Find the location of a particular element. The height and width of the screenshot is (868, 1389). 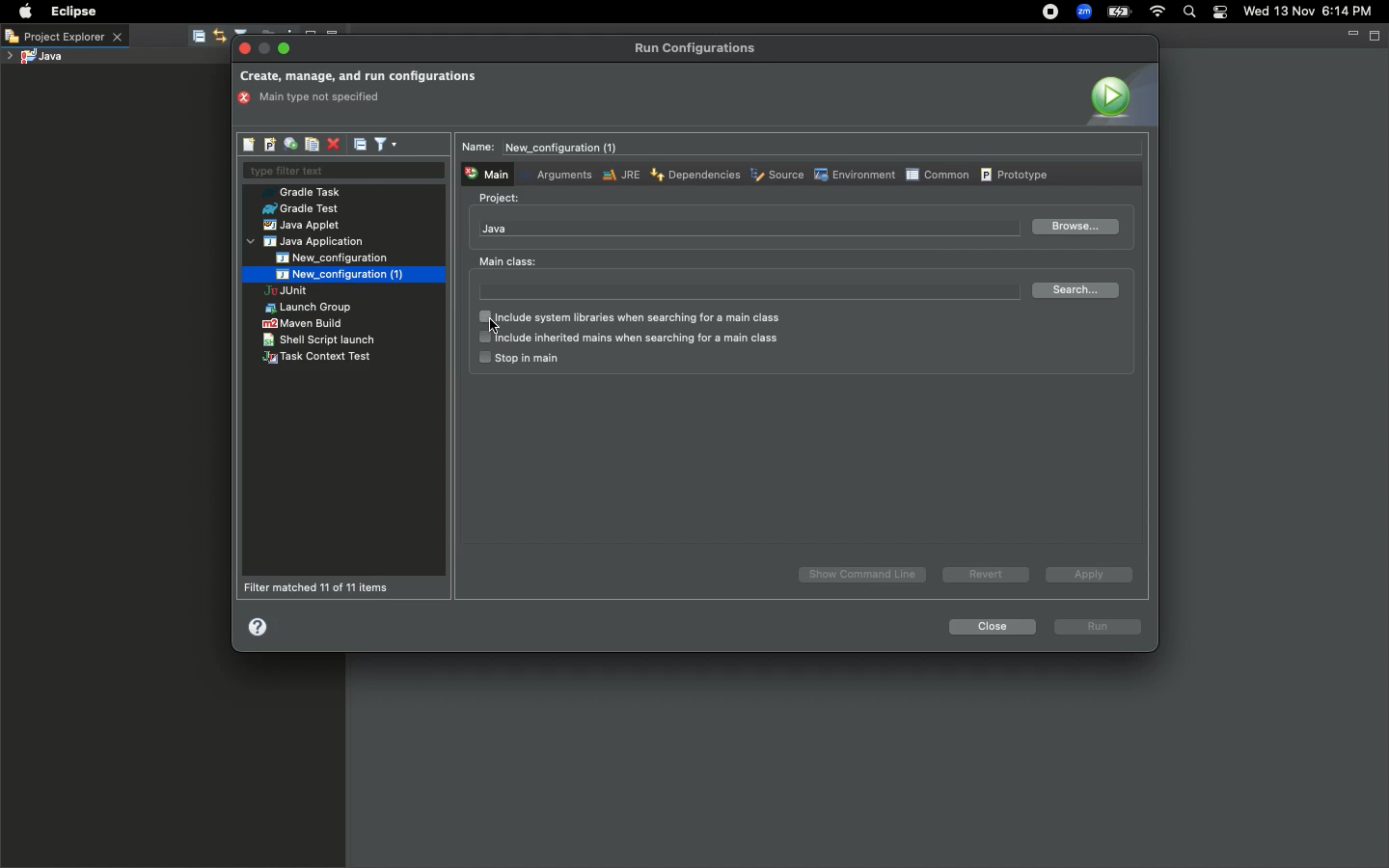

Maximize is located at coordinates (1376, 35).